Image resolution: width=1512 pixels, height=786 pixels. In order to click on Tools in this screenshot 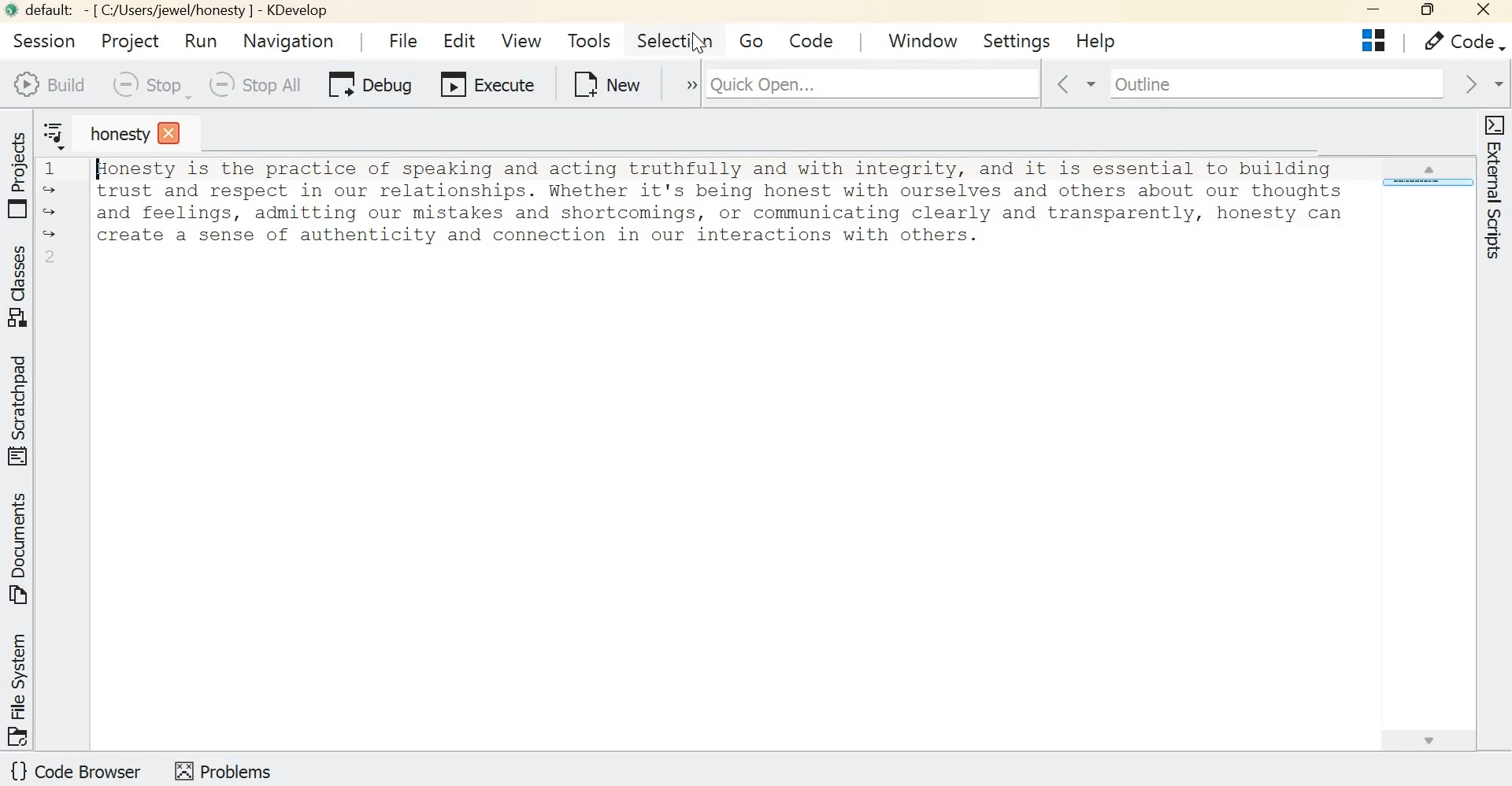, I will do `click(589, 40)`.